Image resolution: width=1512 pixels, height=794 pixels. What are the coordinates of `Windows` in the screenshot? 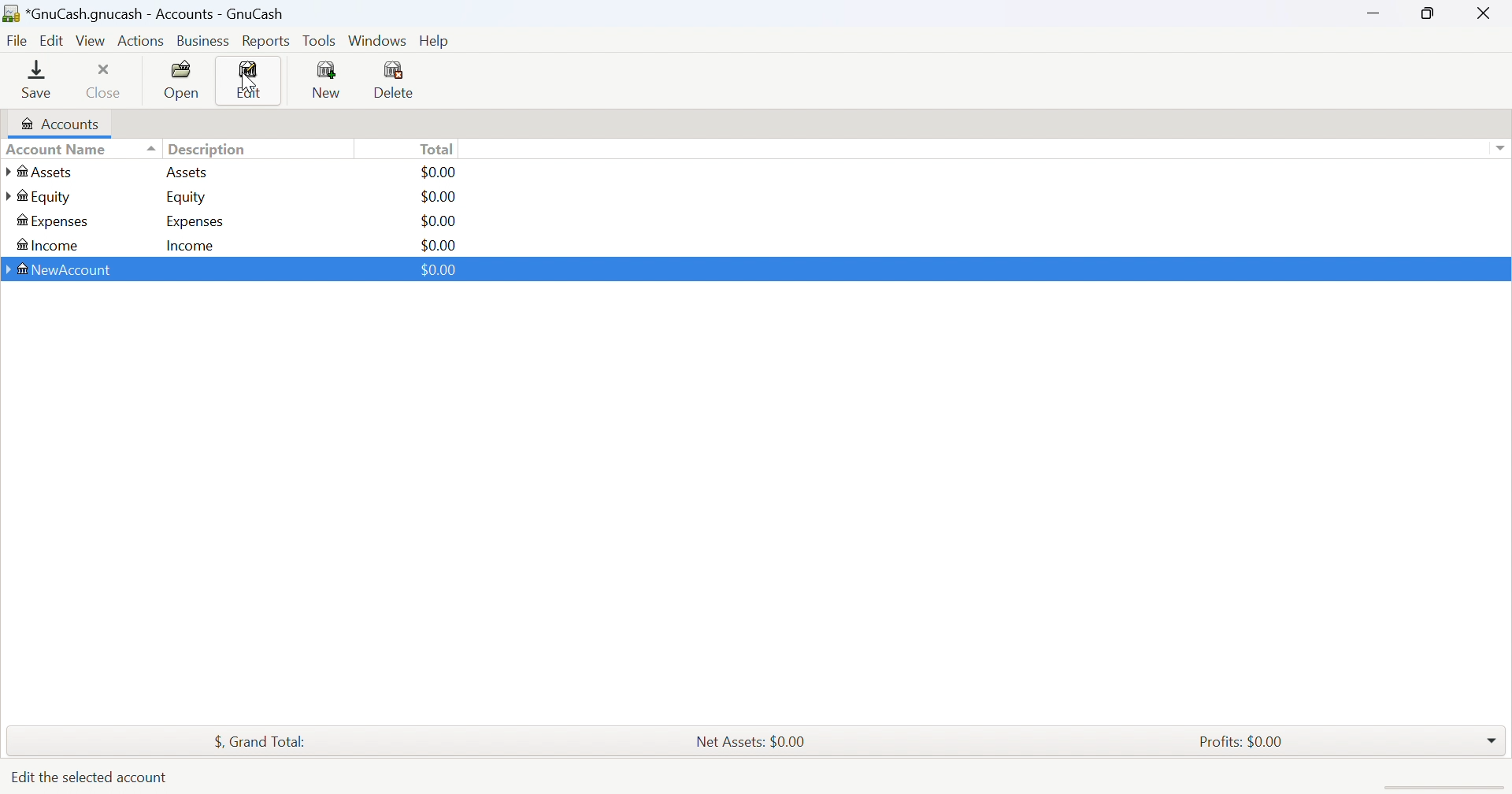 It's located at (377, 41).